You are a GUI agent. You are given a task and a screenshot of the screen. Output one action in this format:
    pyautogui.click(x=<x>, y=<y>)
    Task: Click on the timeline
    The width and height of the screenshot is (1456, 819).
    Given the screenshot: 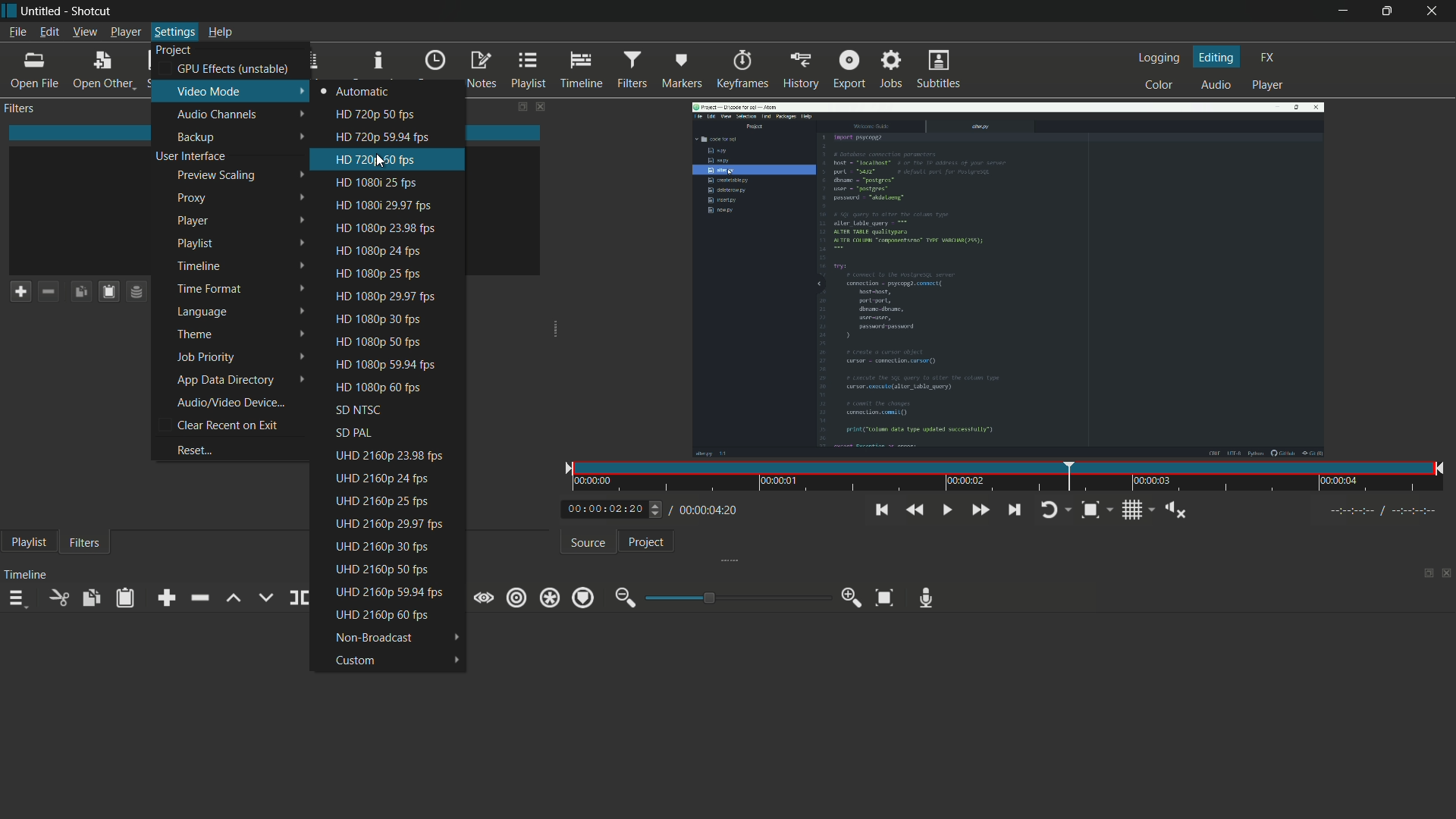 What is the action you would take?
    pyautogui.click(x=582, y=71)
    